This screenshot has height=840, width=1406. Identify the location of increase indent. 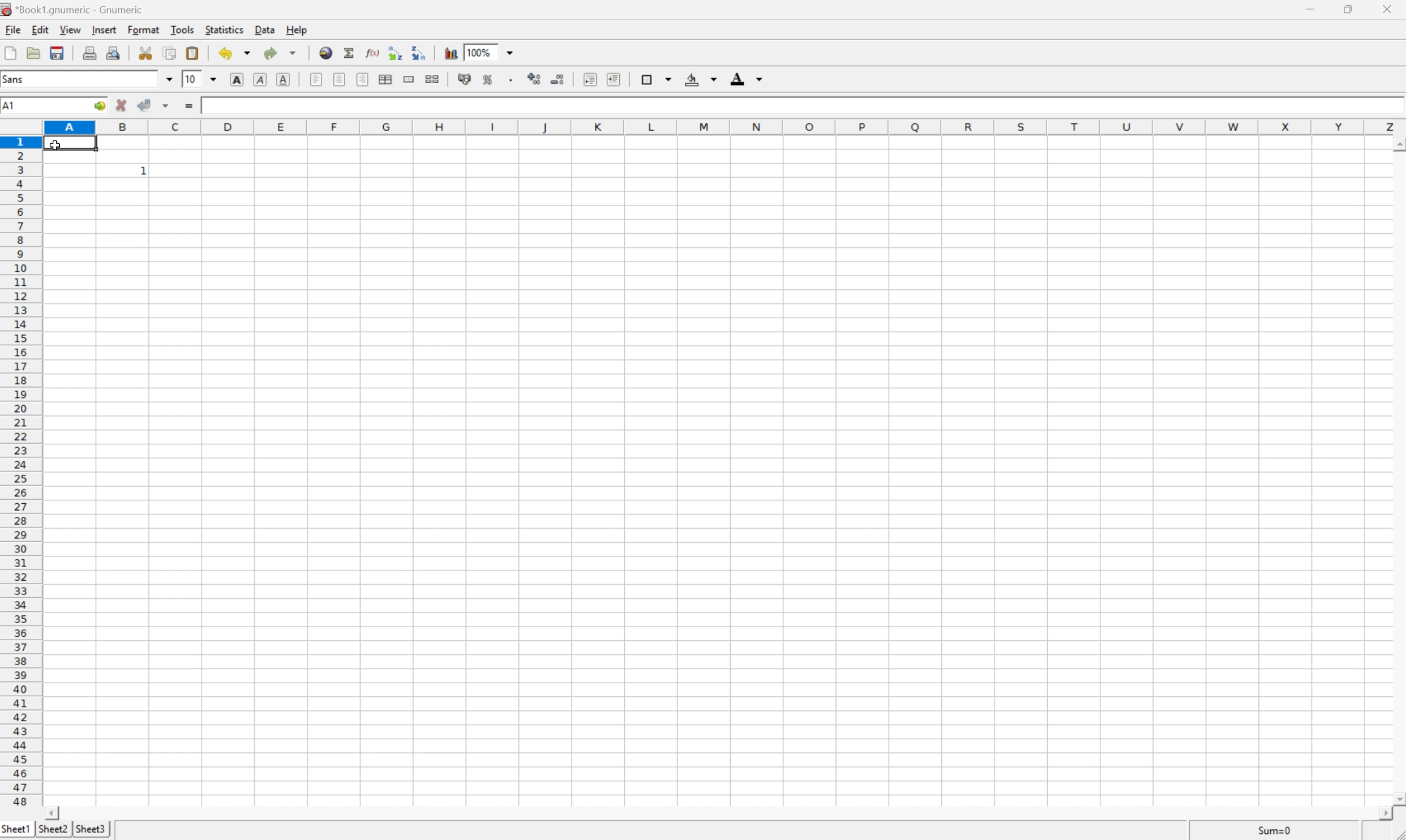
(614, 78).